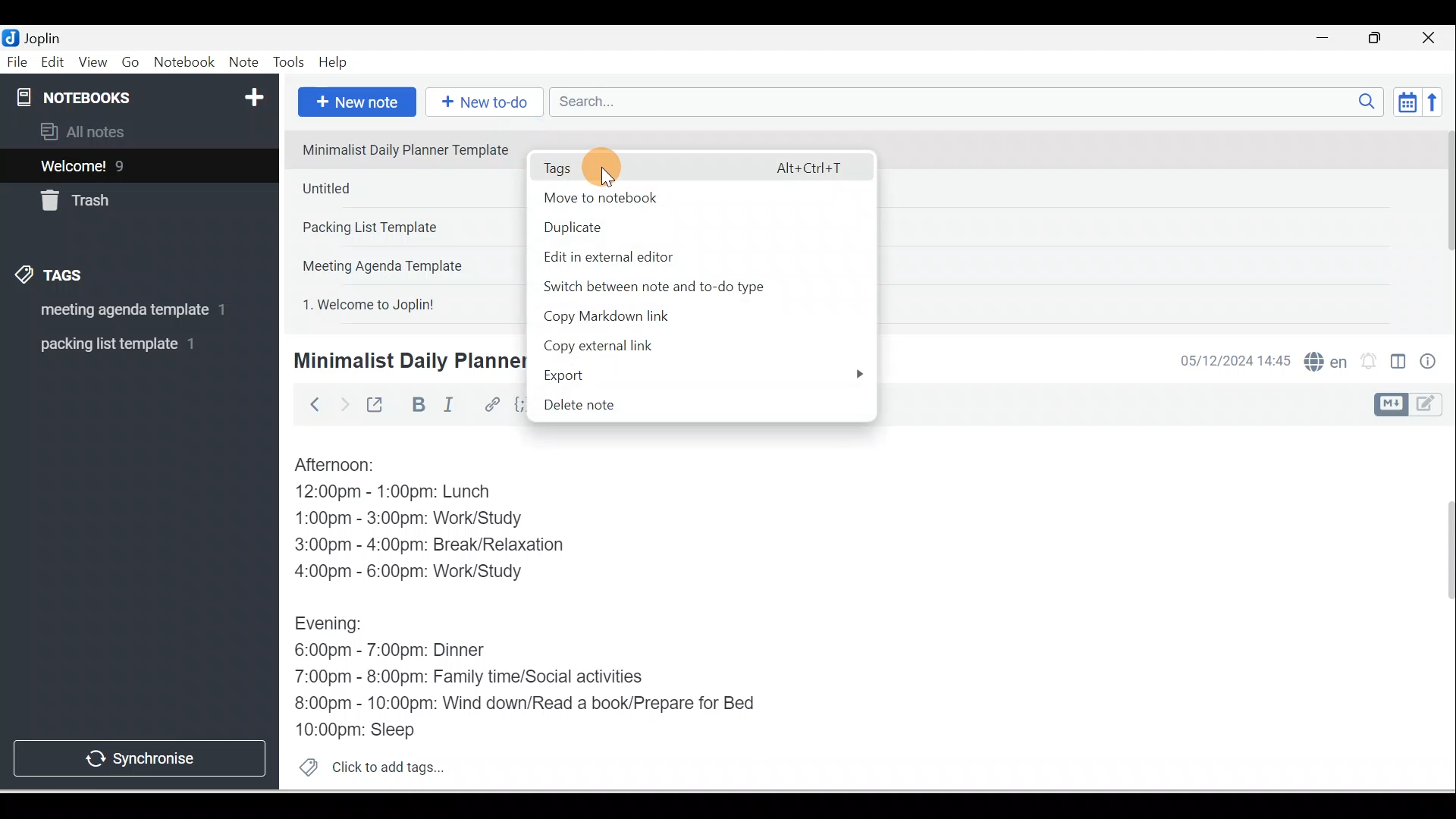 The height and width of the screenshot is (819, 1456). Describe the element at coordinates (1232, 361) in the screenshot. I see `Date & time` at that location.